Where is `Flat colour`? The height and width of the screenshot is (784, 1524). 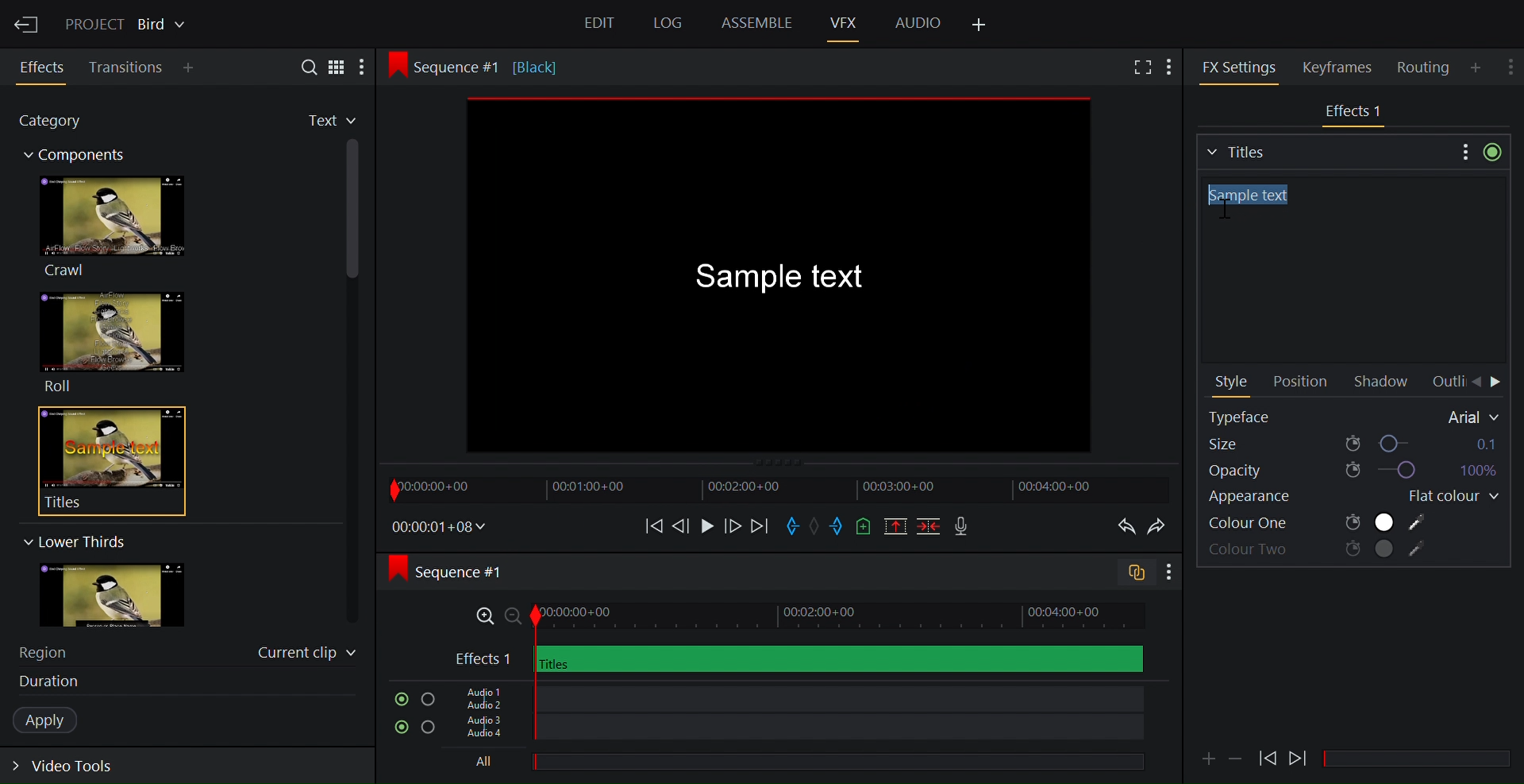
Flat colour is located at coordinates (1447, 497).